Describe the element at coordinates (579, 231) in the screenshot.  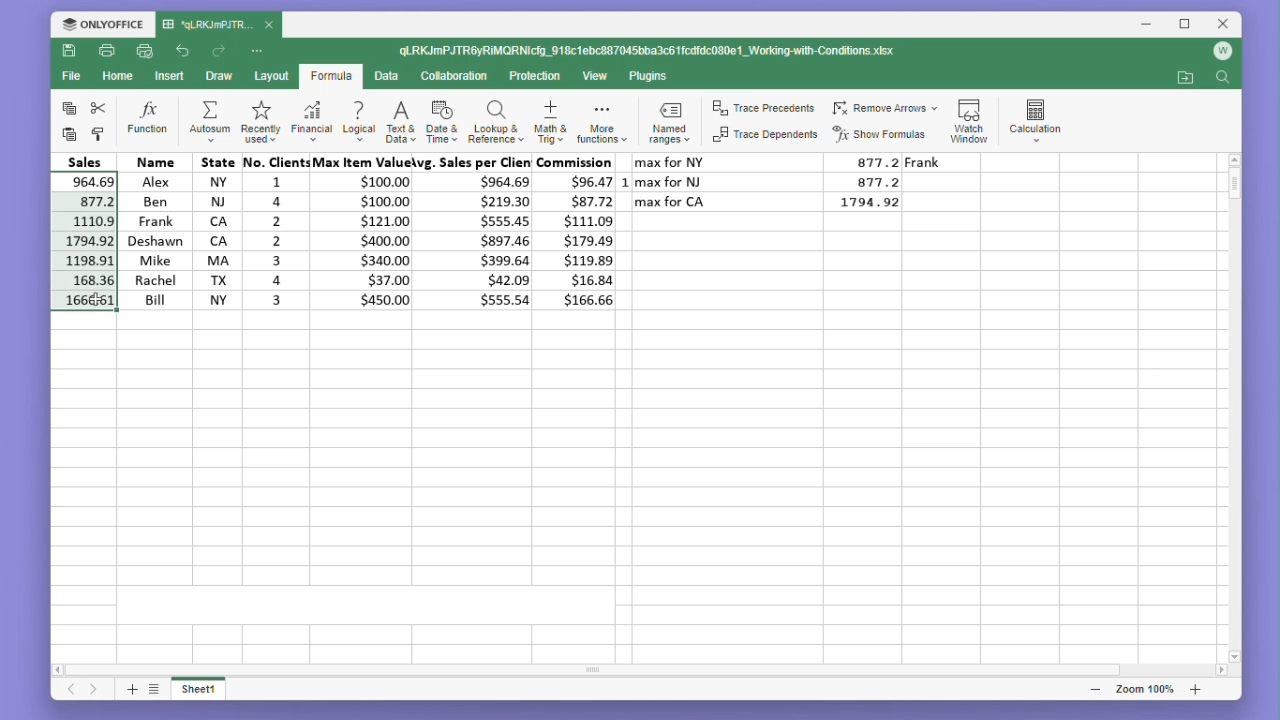
I see `commission` at that location.